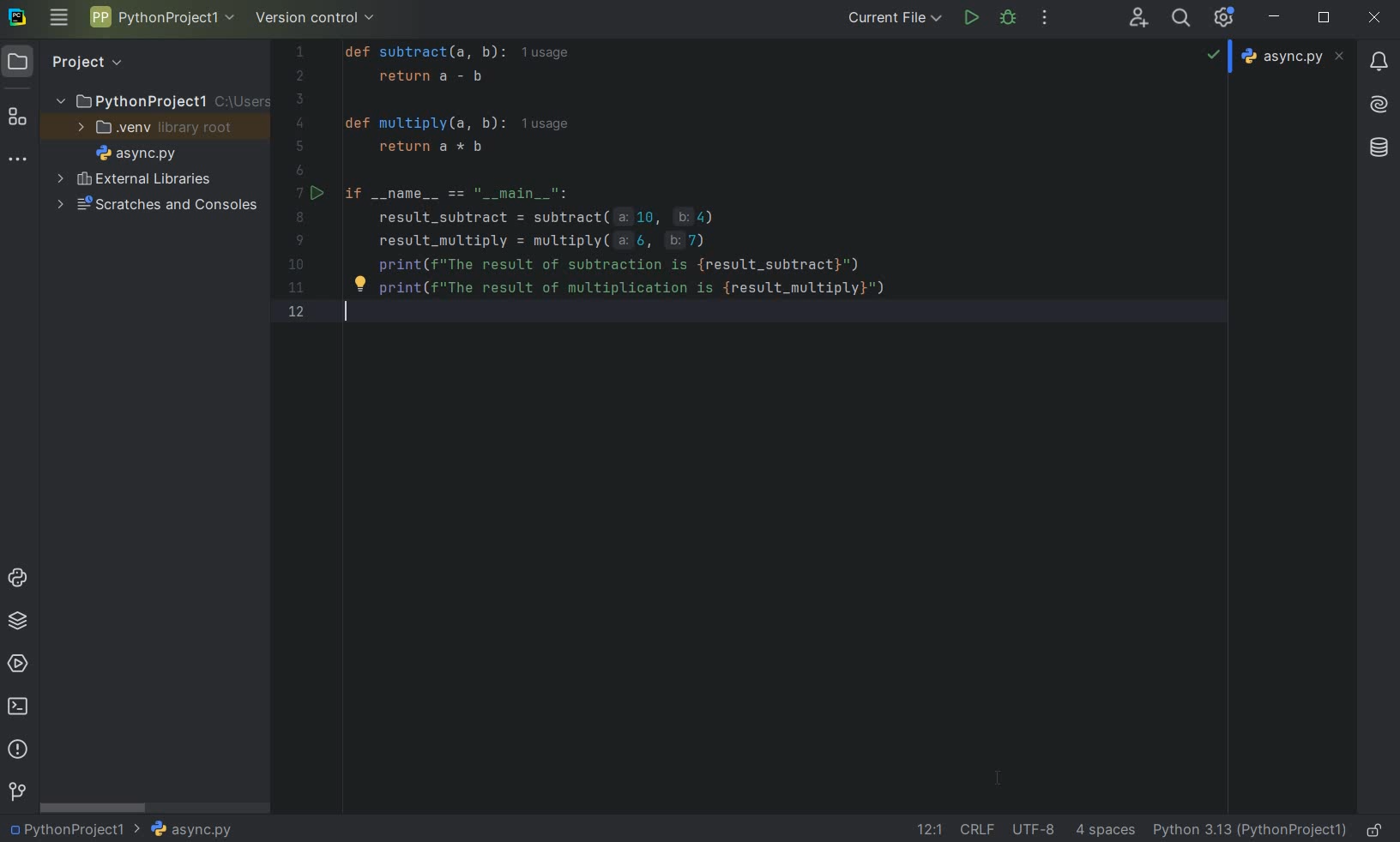 Image resolution: width=1400 pixels, height=842 pixels. I want to click on version control, so click(17, 792).